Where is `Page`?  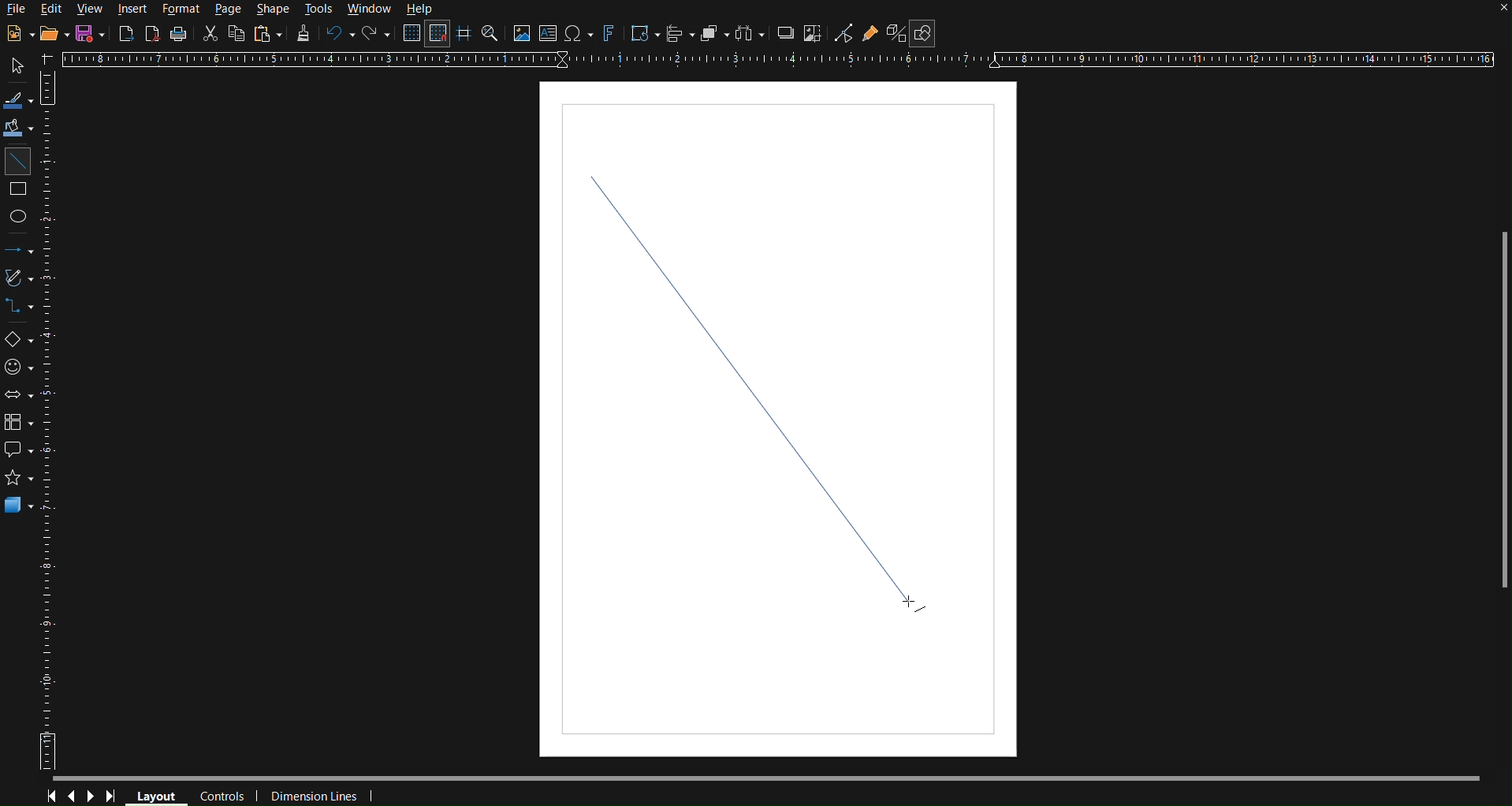
Page is located at coordinates (226, 10).